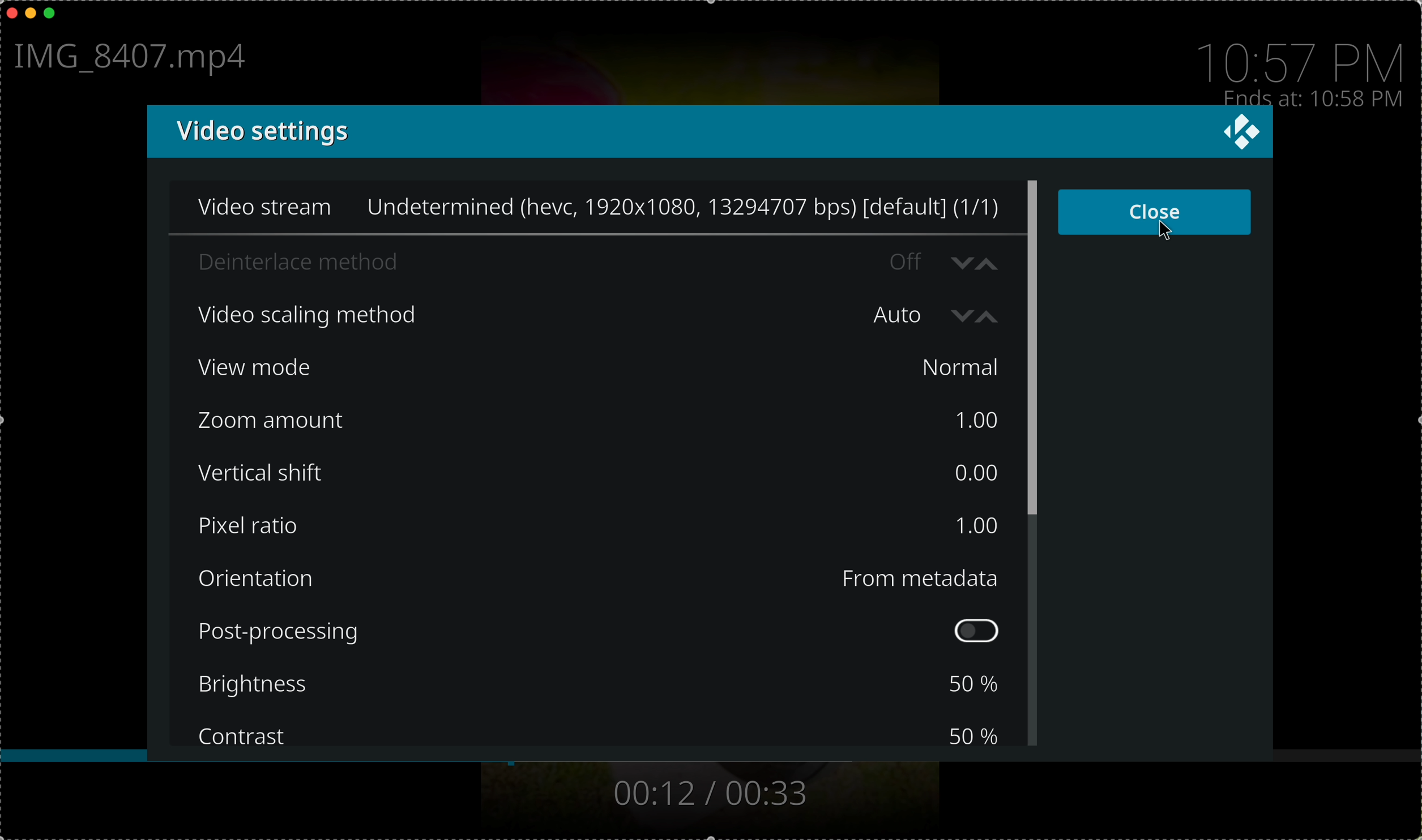 The width and height of the screenshot is (1422, 840). Describe the element at coordinates (588, 205) in the screenshot. I see `Video stream Undetermined (hevc, 1920x1080, 13294707 bps) [default] (1/1)` at that location.